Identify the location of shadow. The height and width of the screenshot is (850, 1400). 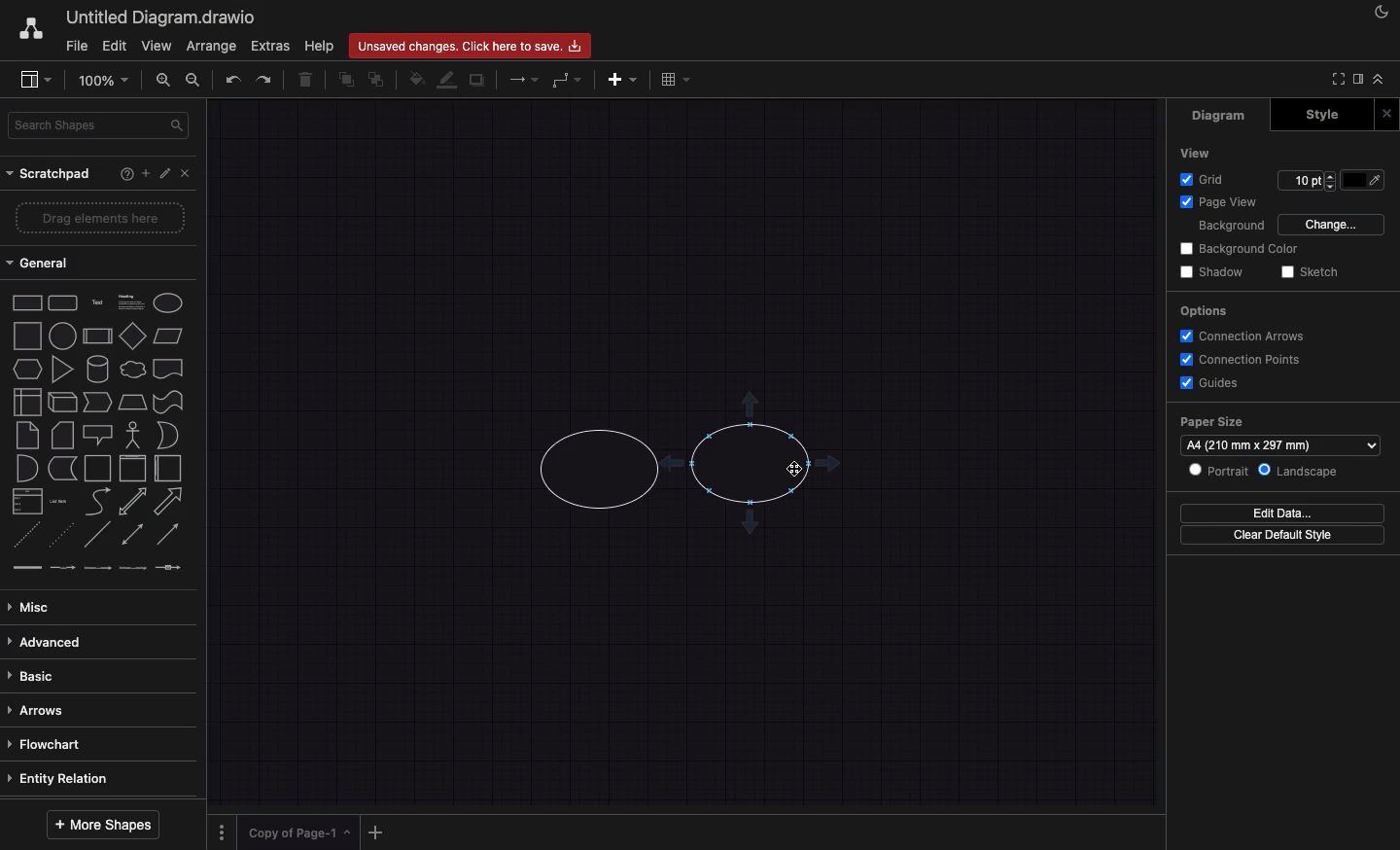
(1213, 271).